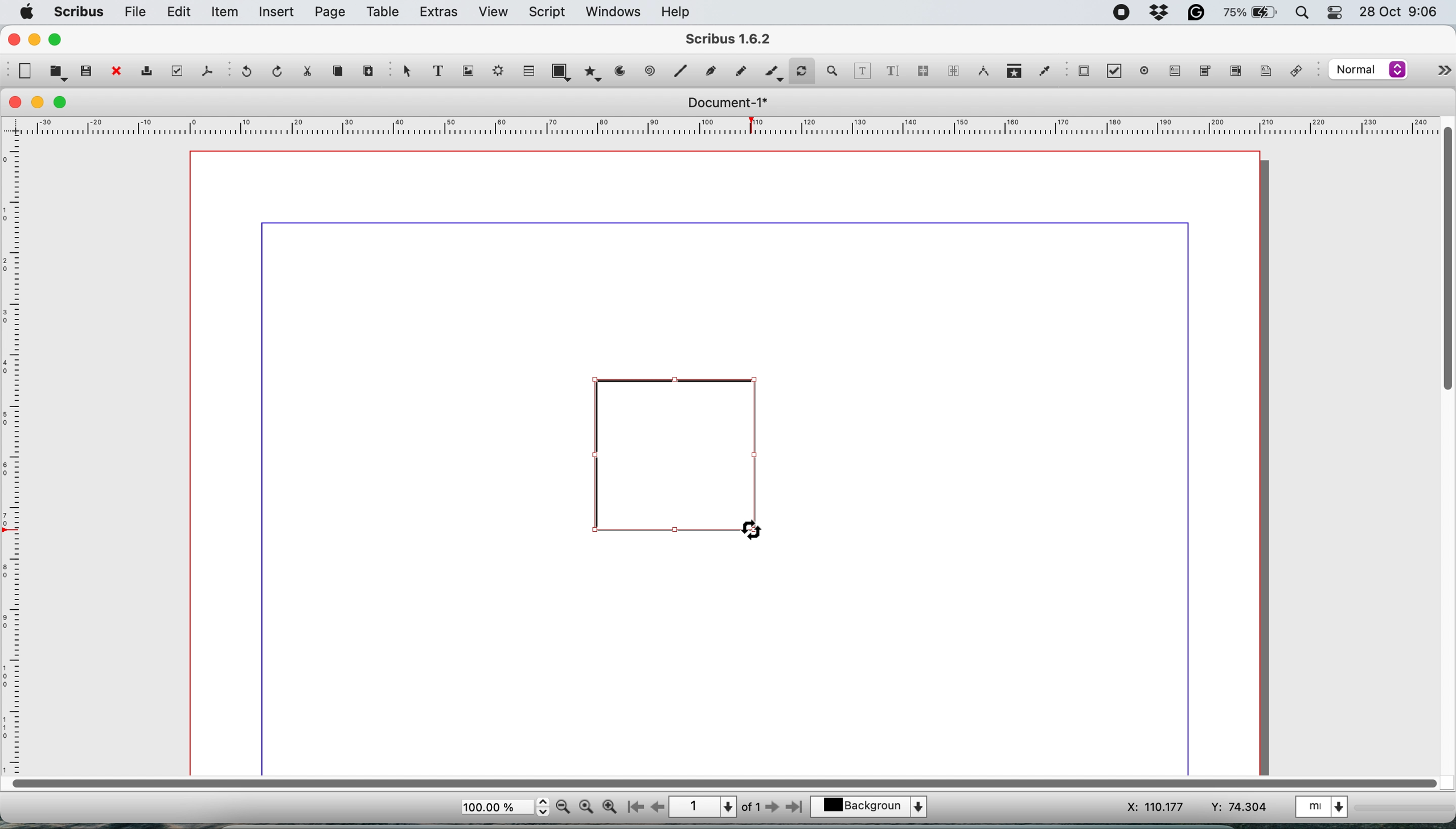  What do you see at coordinates (1084, 72) in the screenshot?
I see `pdf push button` at bounding box center [1084, 72].